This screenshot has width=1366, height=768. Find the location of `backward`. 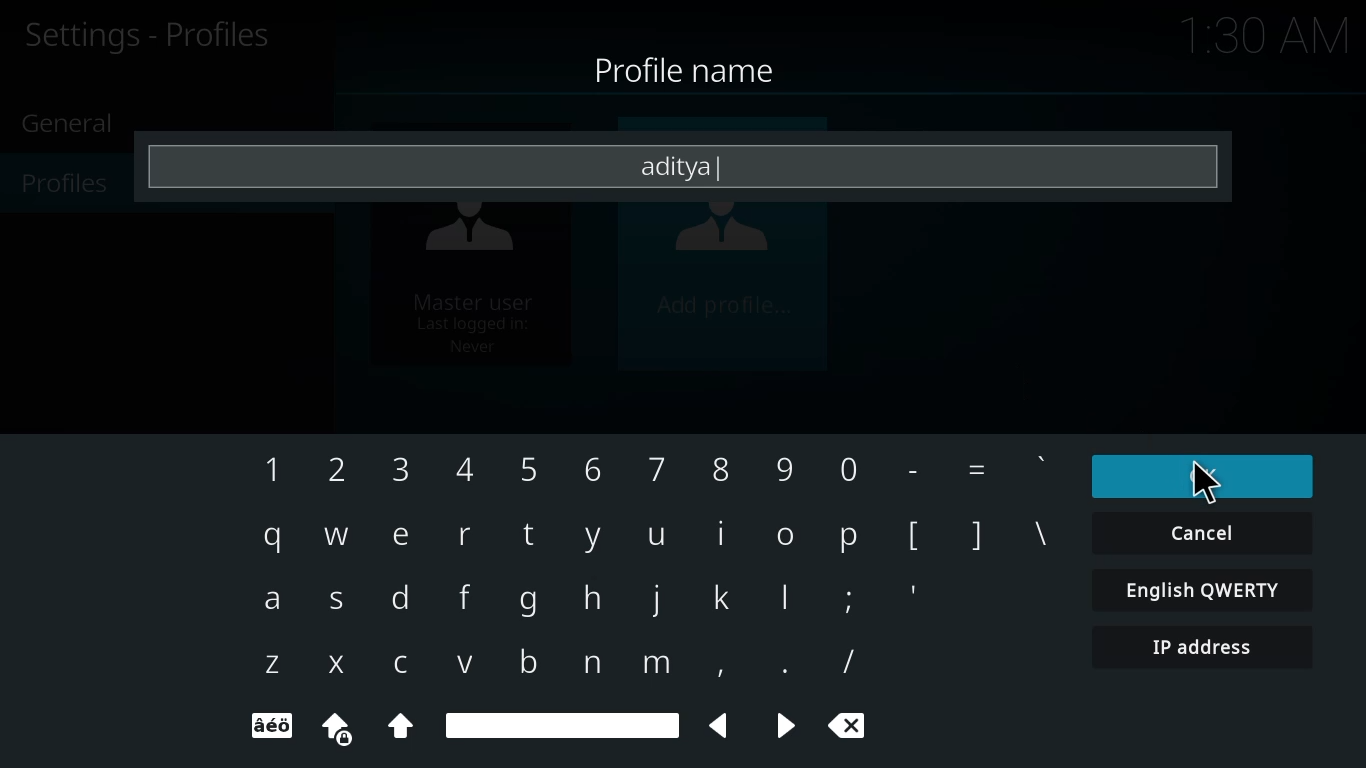

backward is located at coordinates (719, 731).